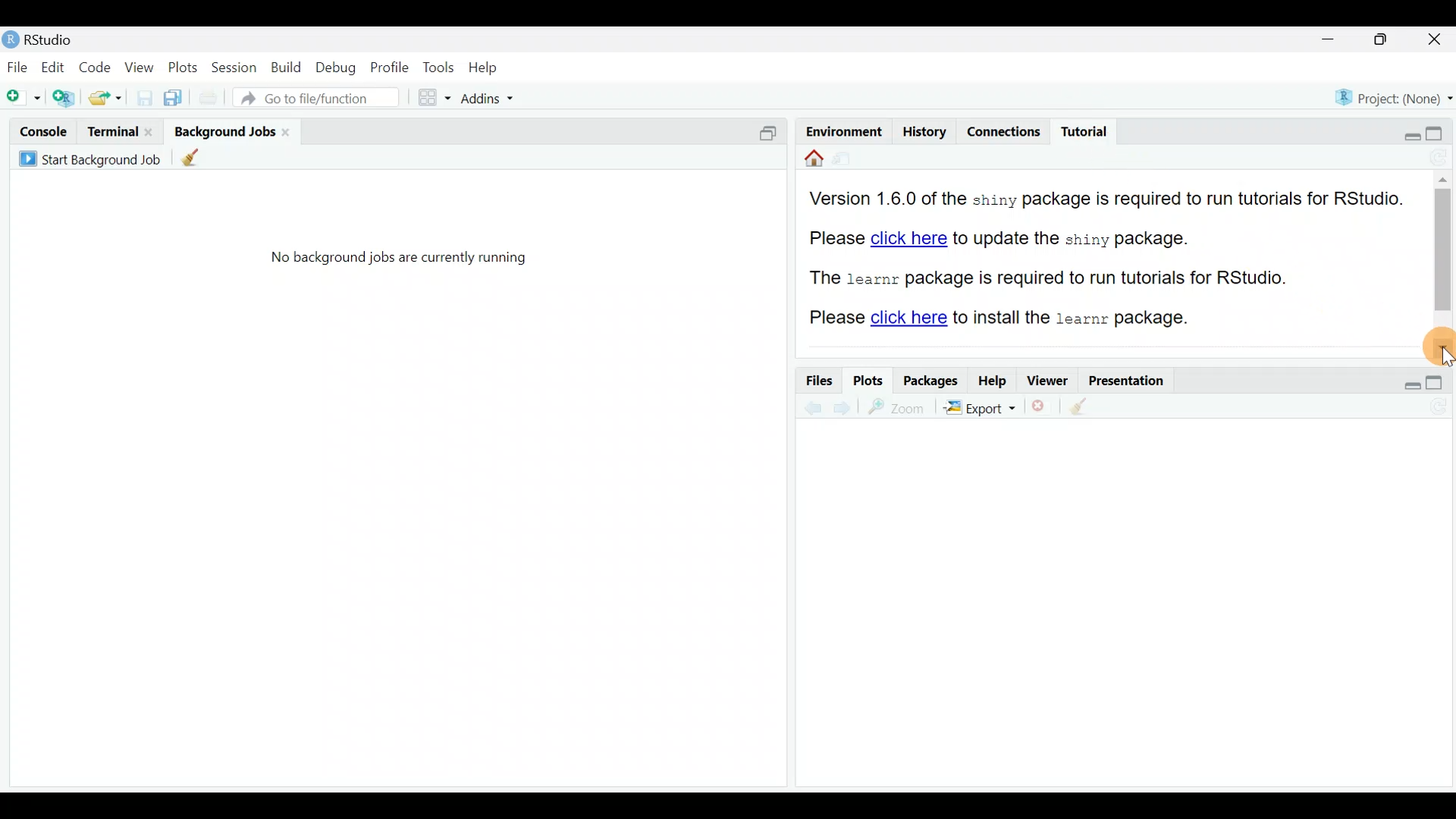 This screenshot has width=1456, height=819. Describe the element at coordinates (479, 97) in the screenshot. I see `Addins` at that location.